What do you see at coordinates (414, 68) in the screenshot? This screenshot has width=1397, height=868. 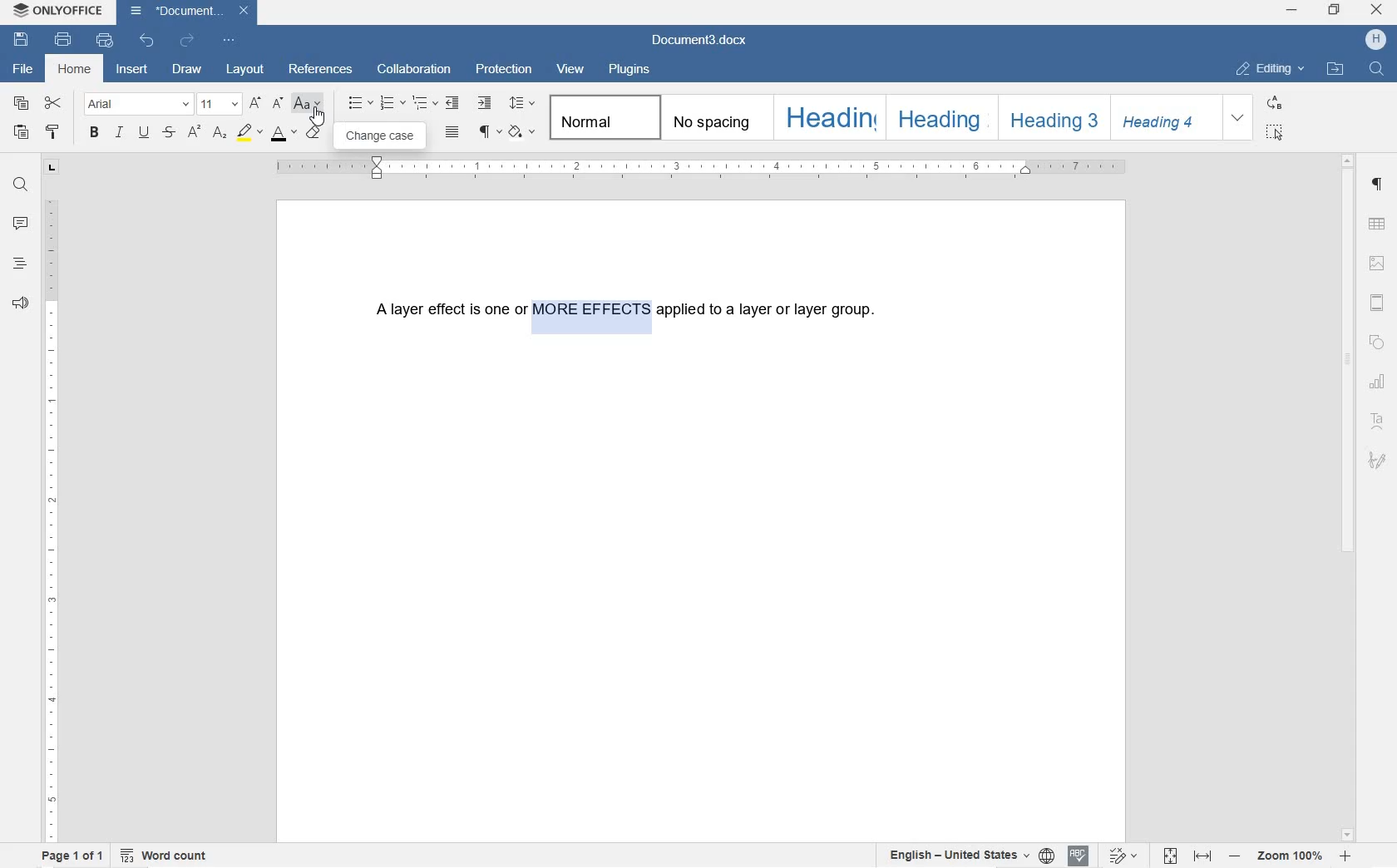 I see `COLLABORATION` at bounding box center [414, 68].